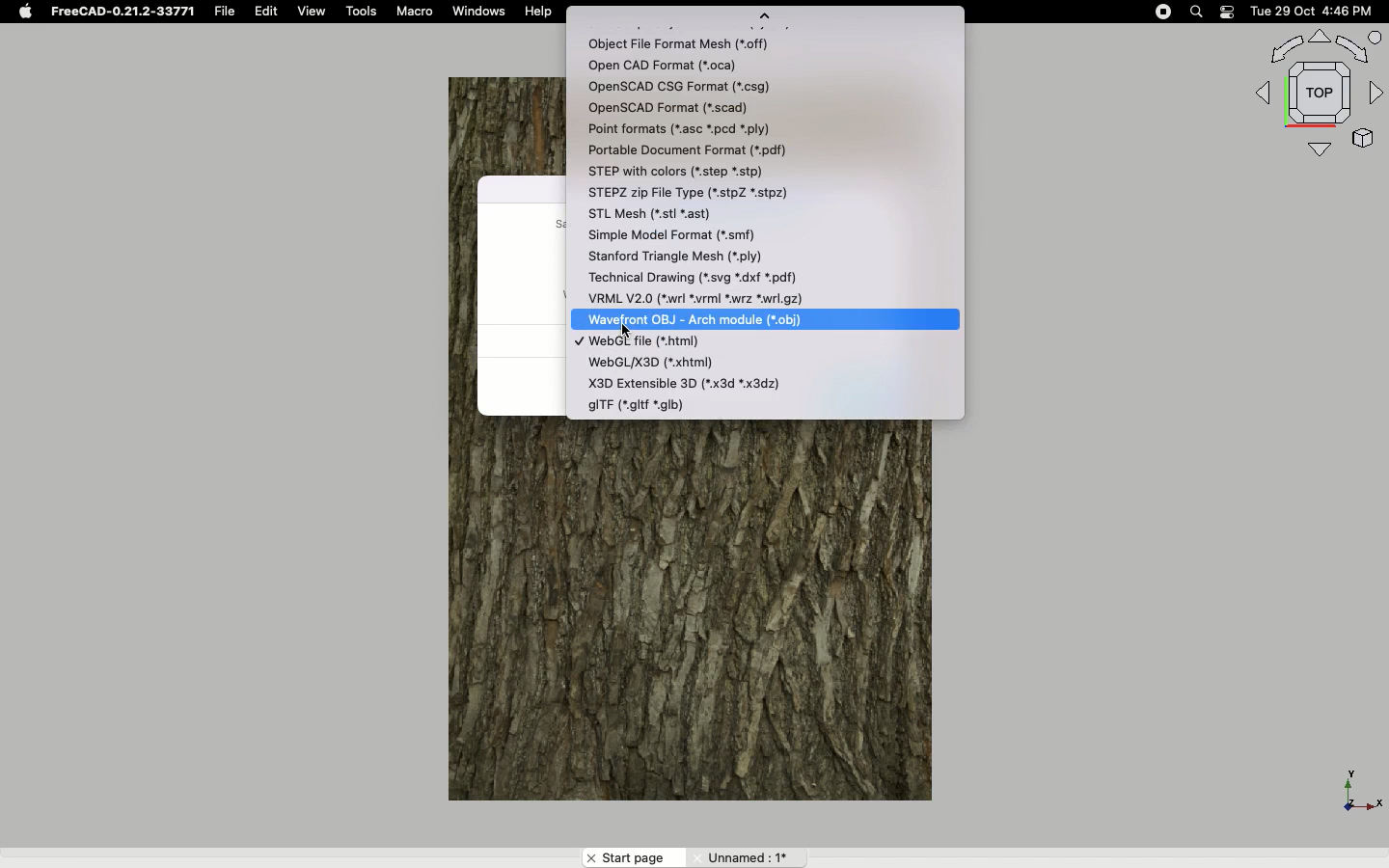 Image resolution: width=1389 pixels, height=868 pixels. Describe the element at coordinates (419, 14) in the screenshot. I see `Macro` at that location.